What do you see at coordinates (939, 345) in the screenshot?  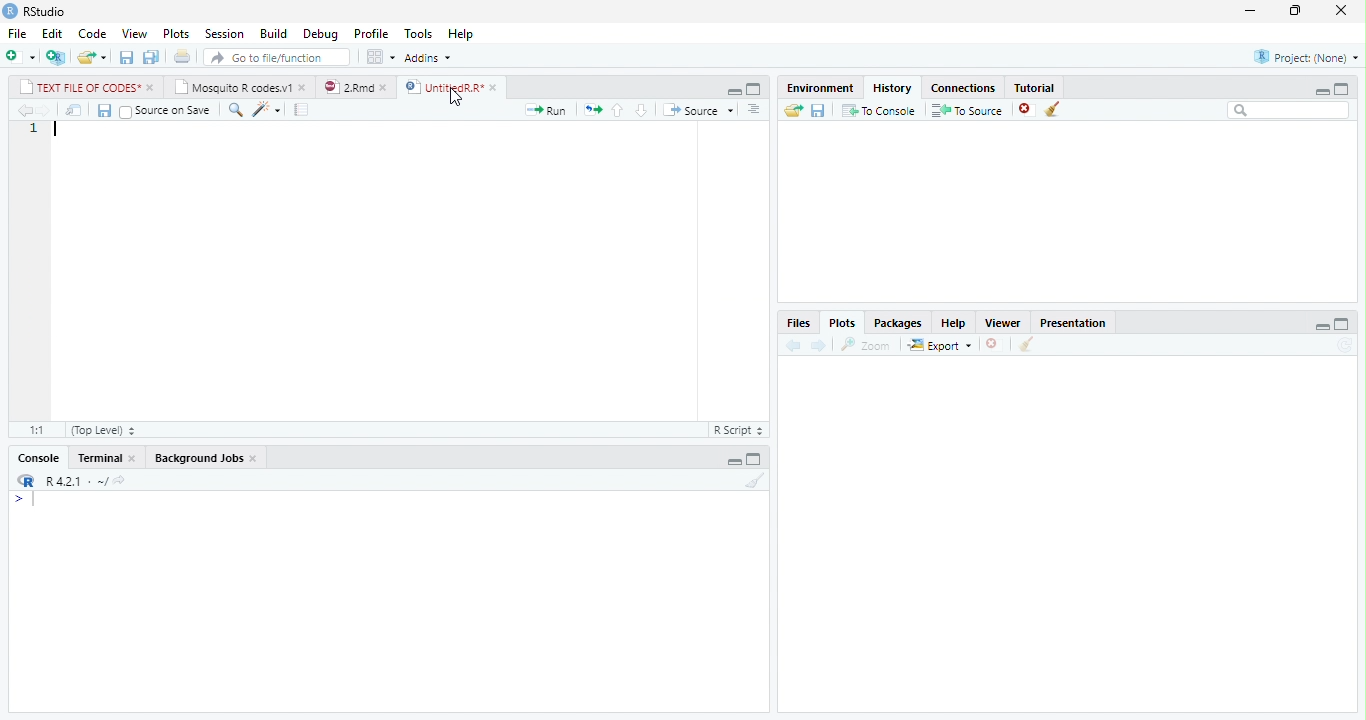 I see `Export` at bounding box center [939, 345].